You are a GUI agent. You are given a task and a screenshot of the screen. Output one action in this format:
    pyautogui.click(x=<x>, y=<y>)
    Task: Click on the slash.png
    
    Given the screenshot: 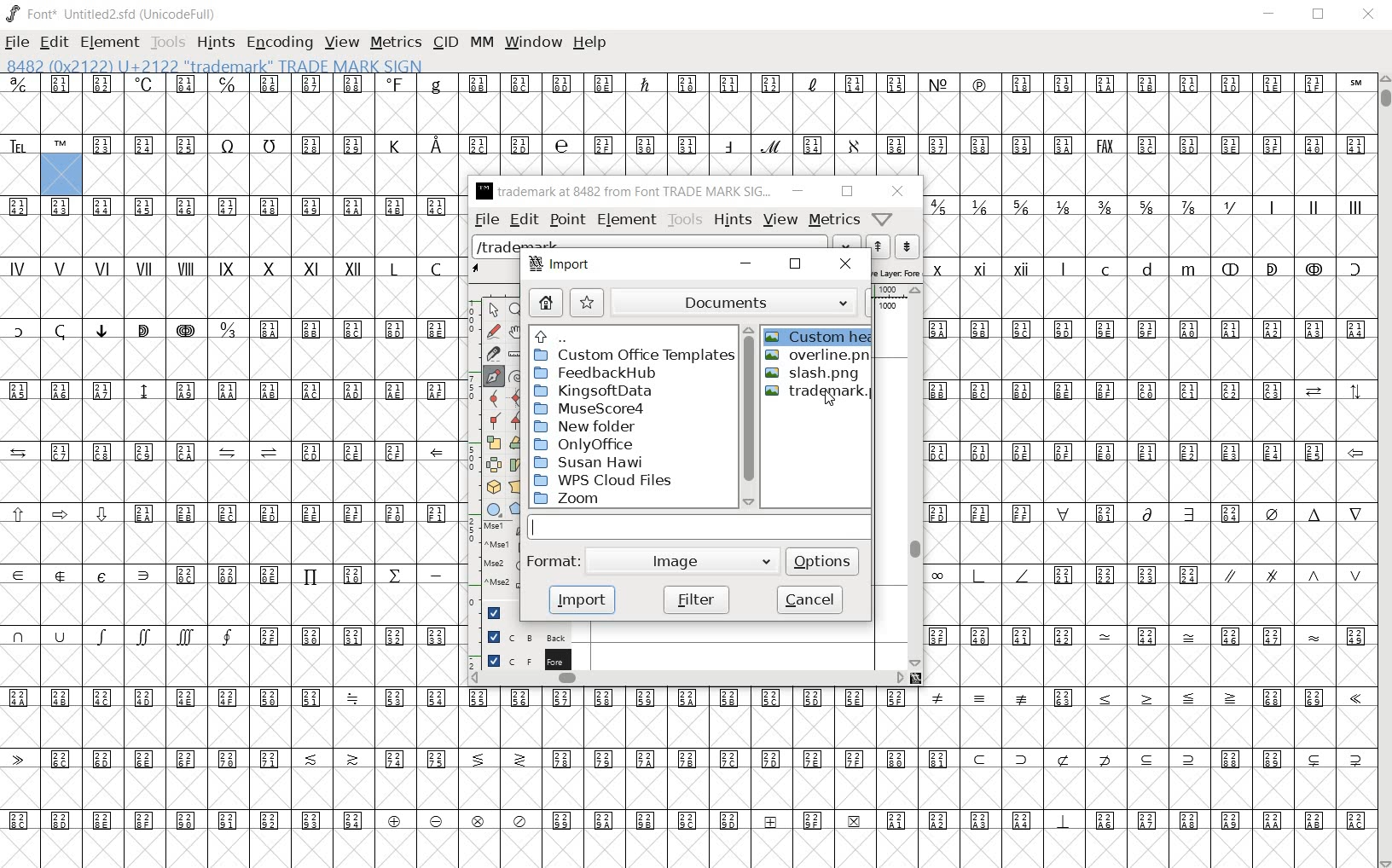 What is the action you would take?
    pyautogui.click(x=816, y=374)
    